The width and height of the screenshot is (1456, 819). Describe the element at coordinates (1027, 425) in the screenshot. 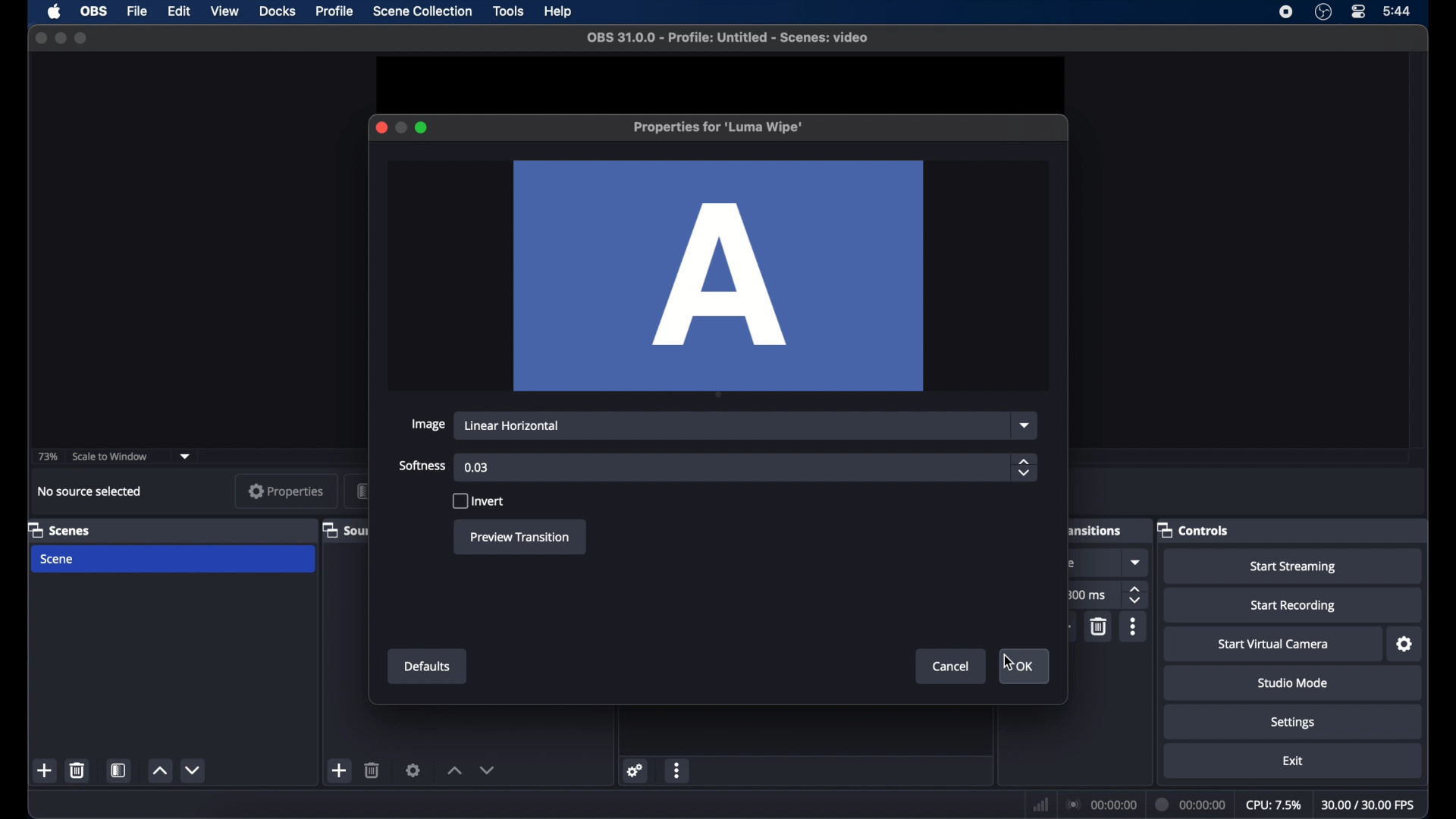

I see `dropdown` at that location.